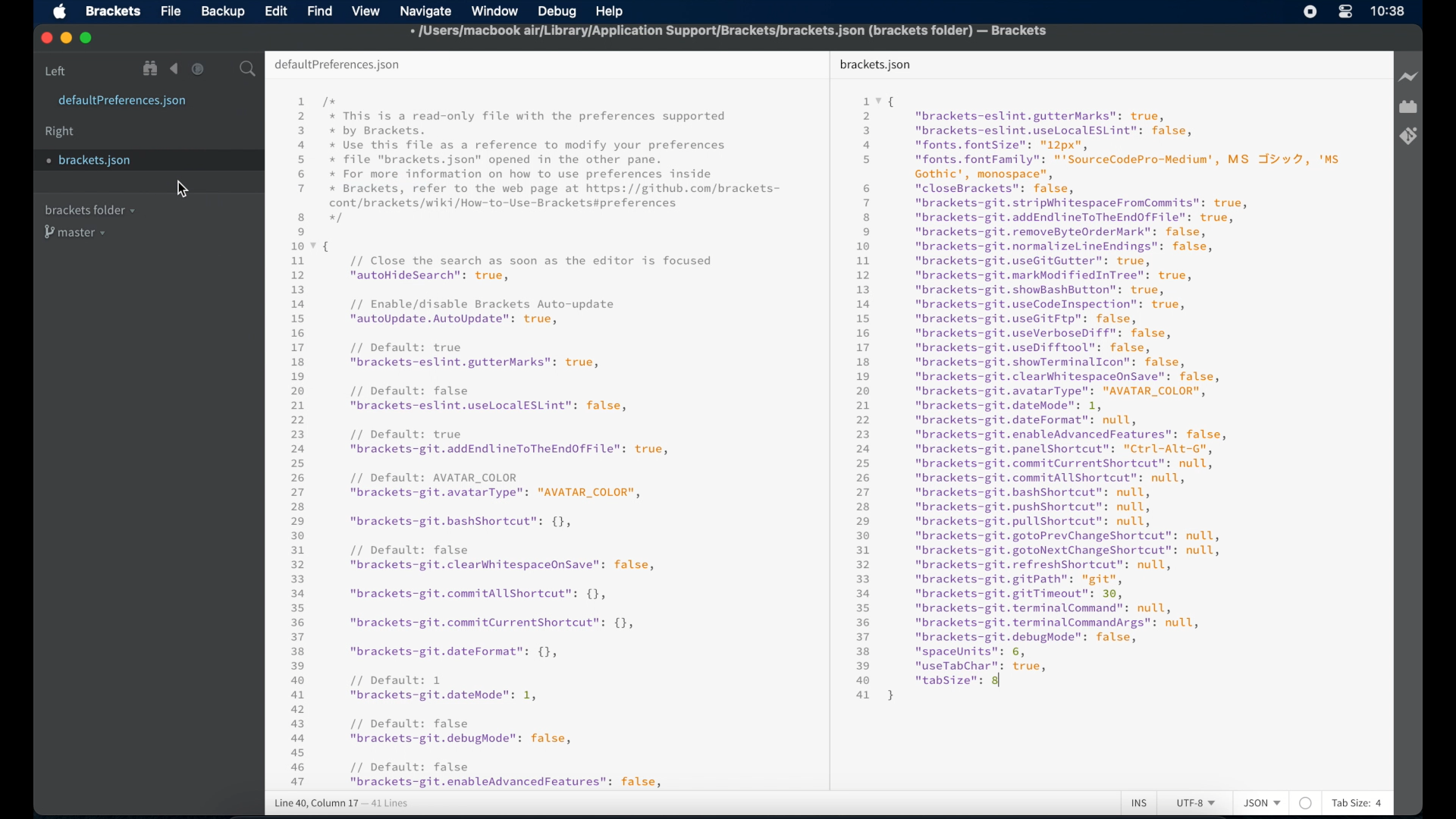  I want to click on right, so click(60, 132).